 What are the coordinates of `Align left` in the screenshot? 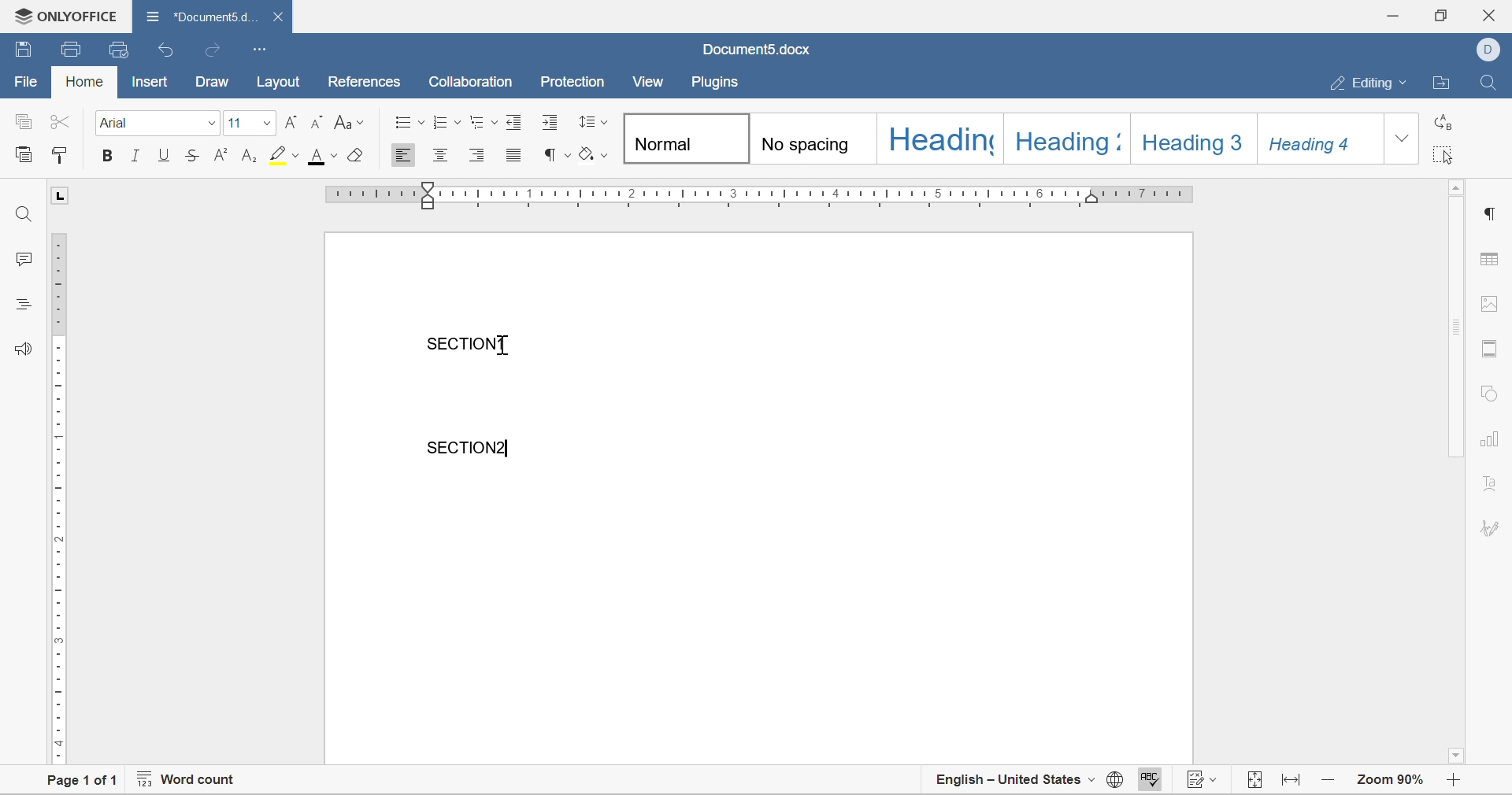 It's located at (402, 156).